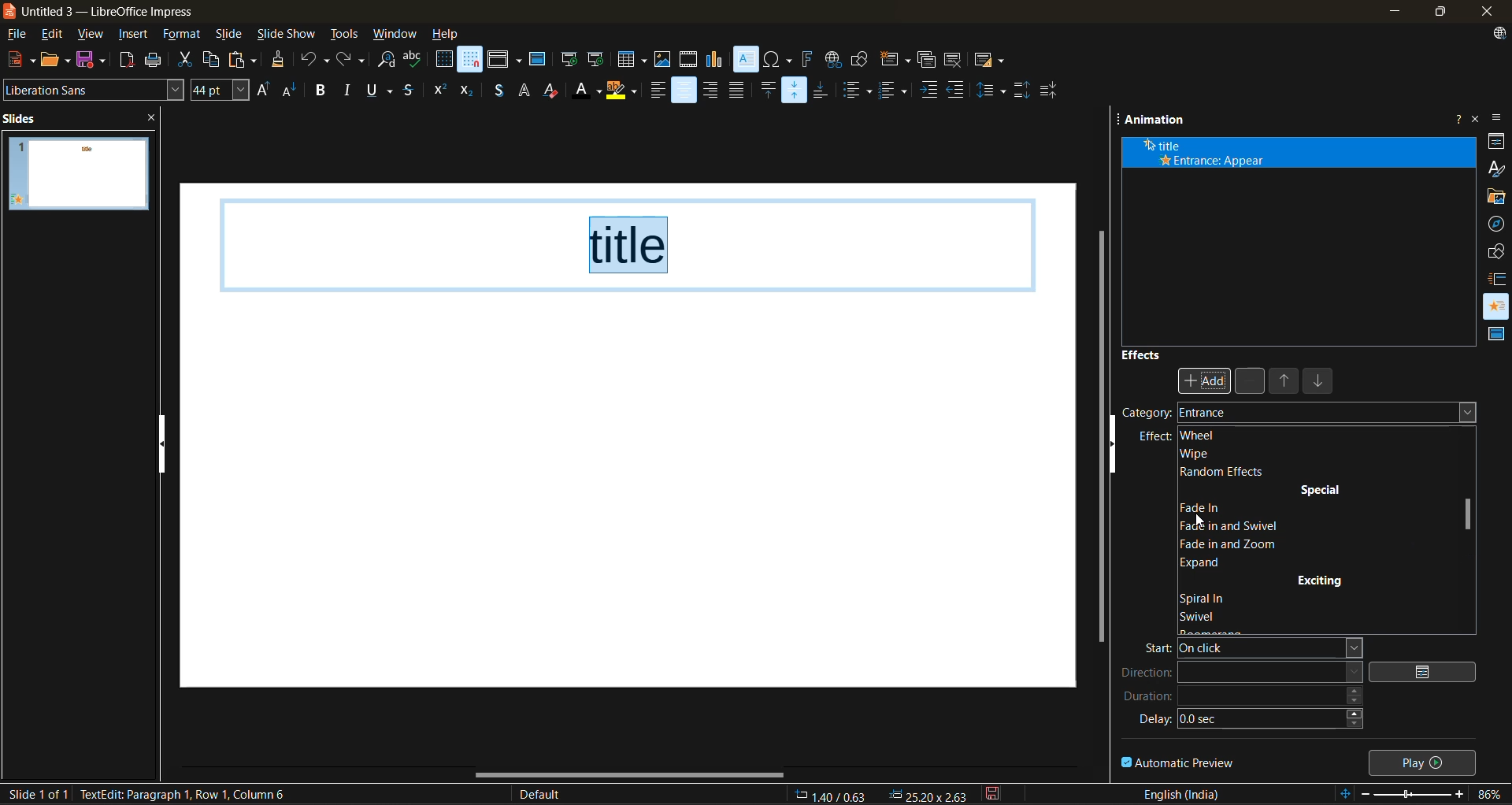 The width and height of the screenshot is (1512, 805). Describe the element at coordinates (588, 92) in the screenshot. I see `font color` at that location.